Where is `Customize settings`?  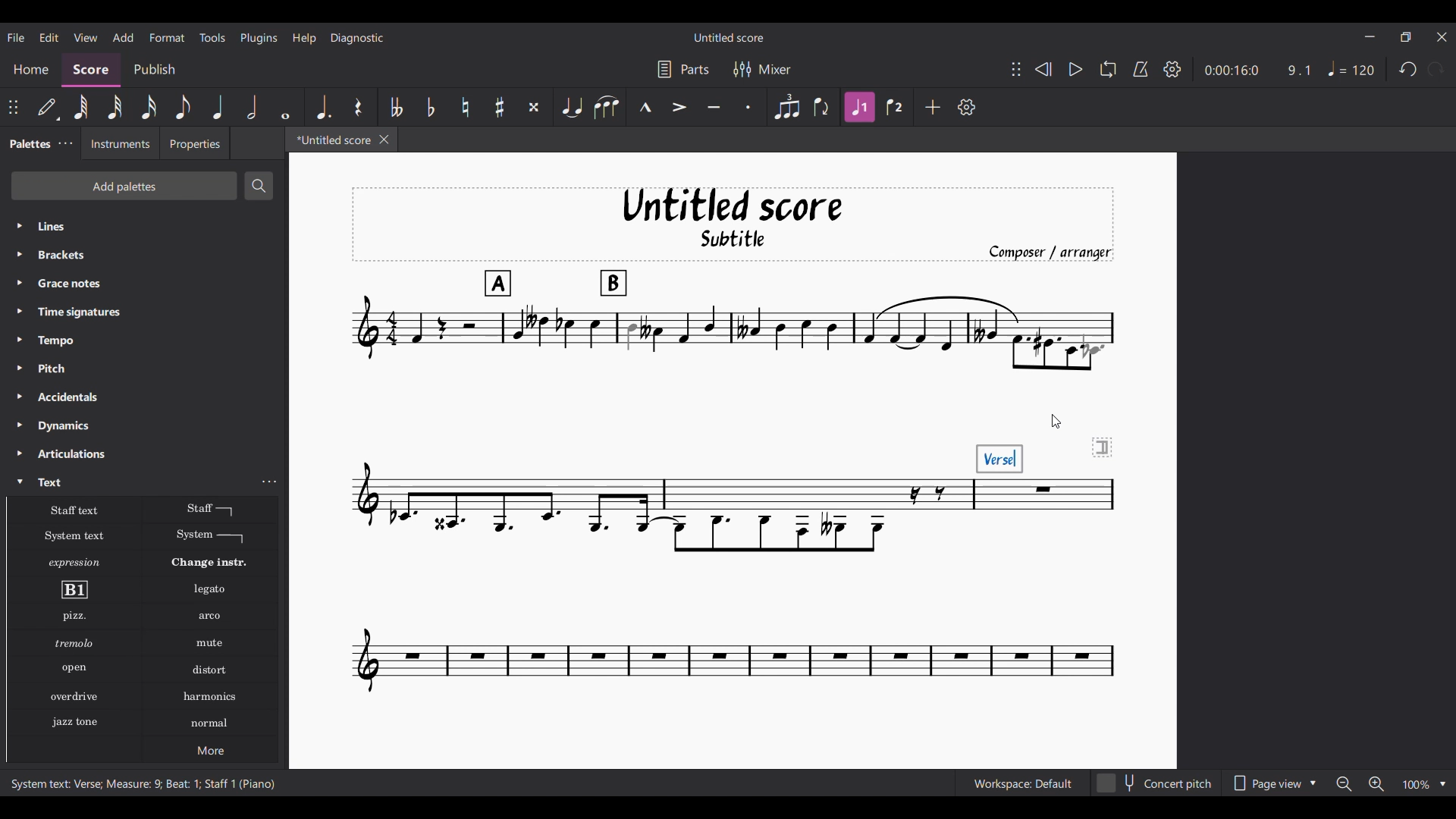 Customize settings is located at coordinates (967, 107).